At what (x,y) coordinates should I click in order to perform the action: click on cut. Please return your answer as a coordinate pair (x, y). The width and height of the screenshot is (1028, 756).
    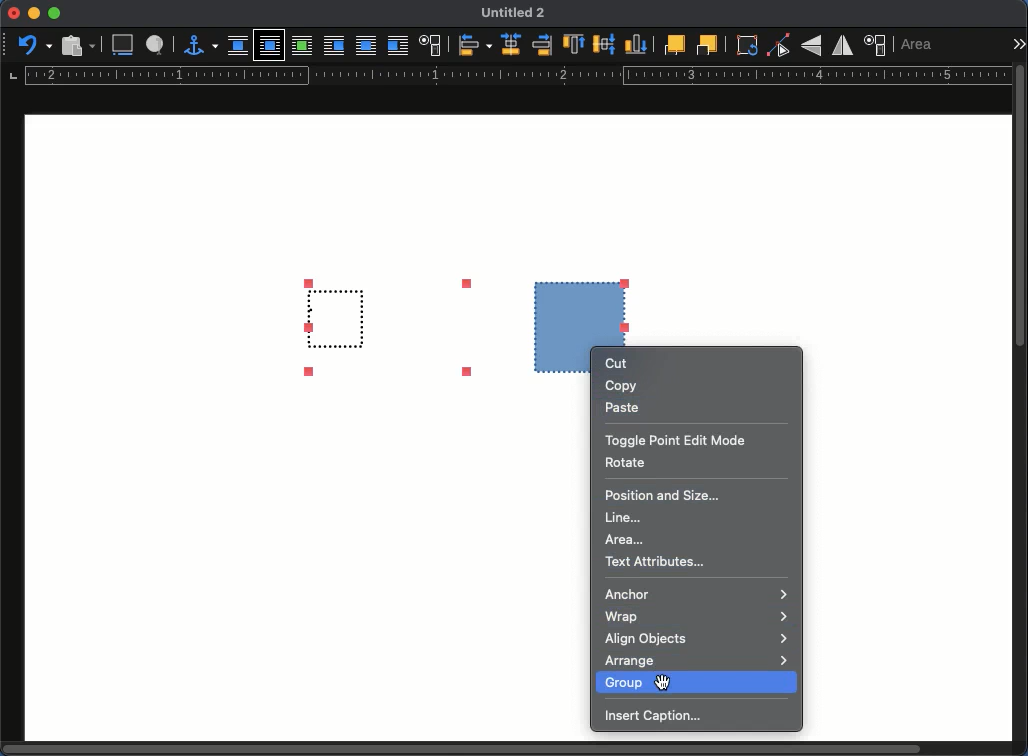
    Looking at the image, I should click on (621, 364).